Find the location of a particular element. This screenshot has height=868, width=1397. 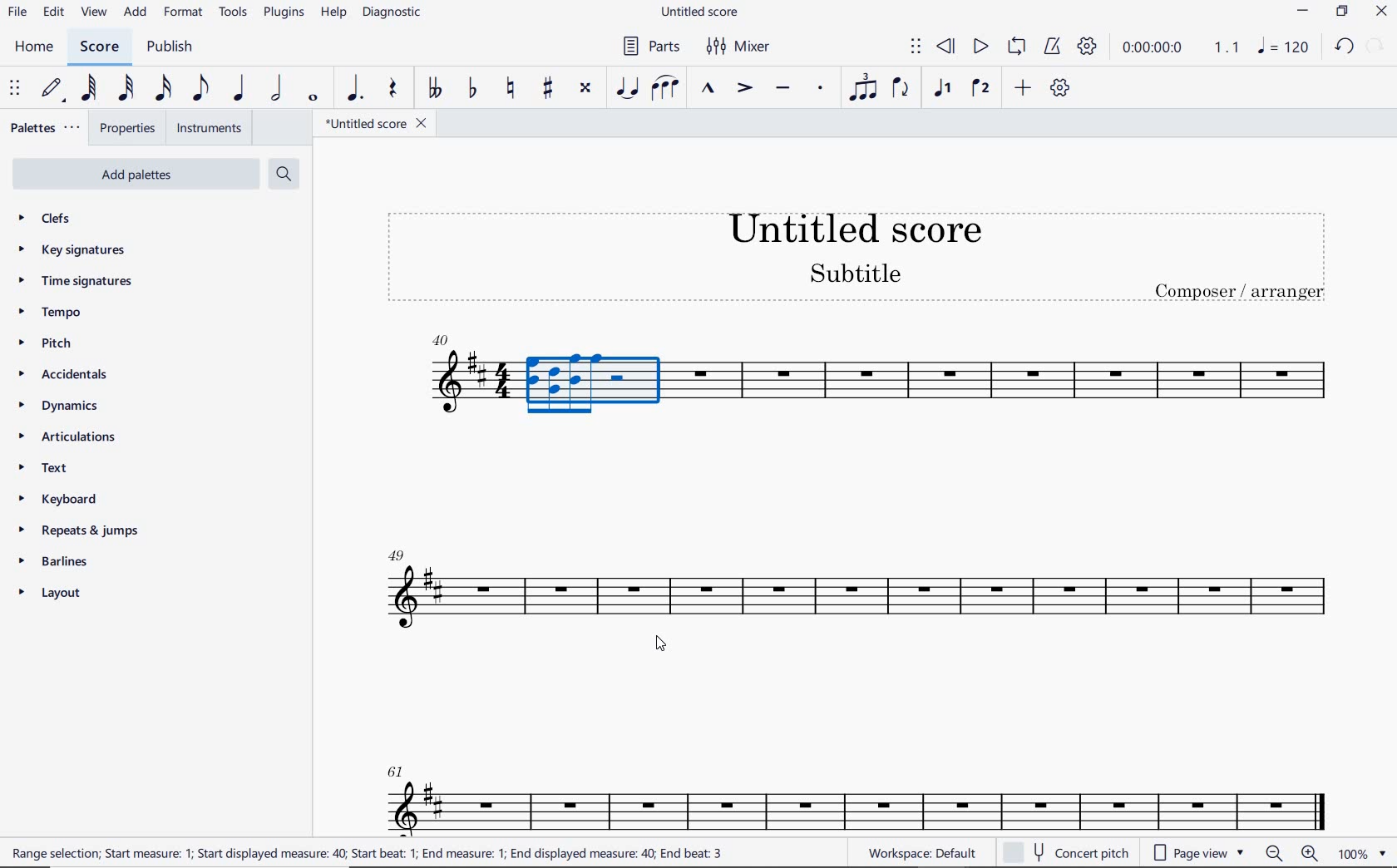

FLIP DIRECTION is located at coordinates (901, 90).